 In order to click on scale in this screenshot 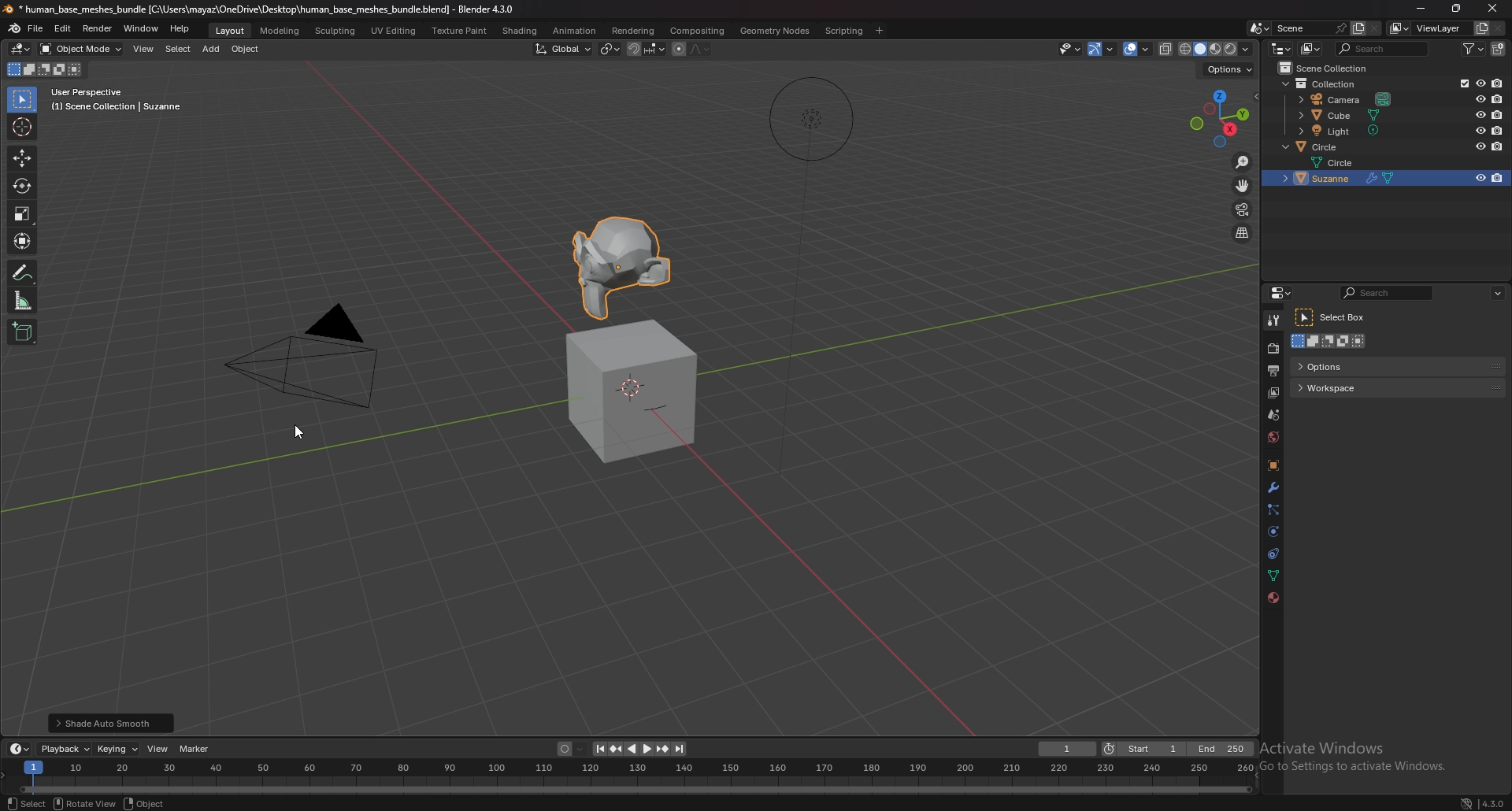, I will do `click(24, 300)`.